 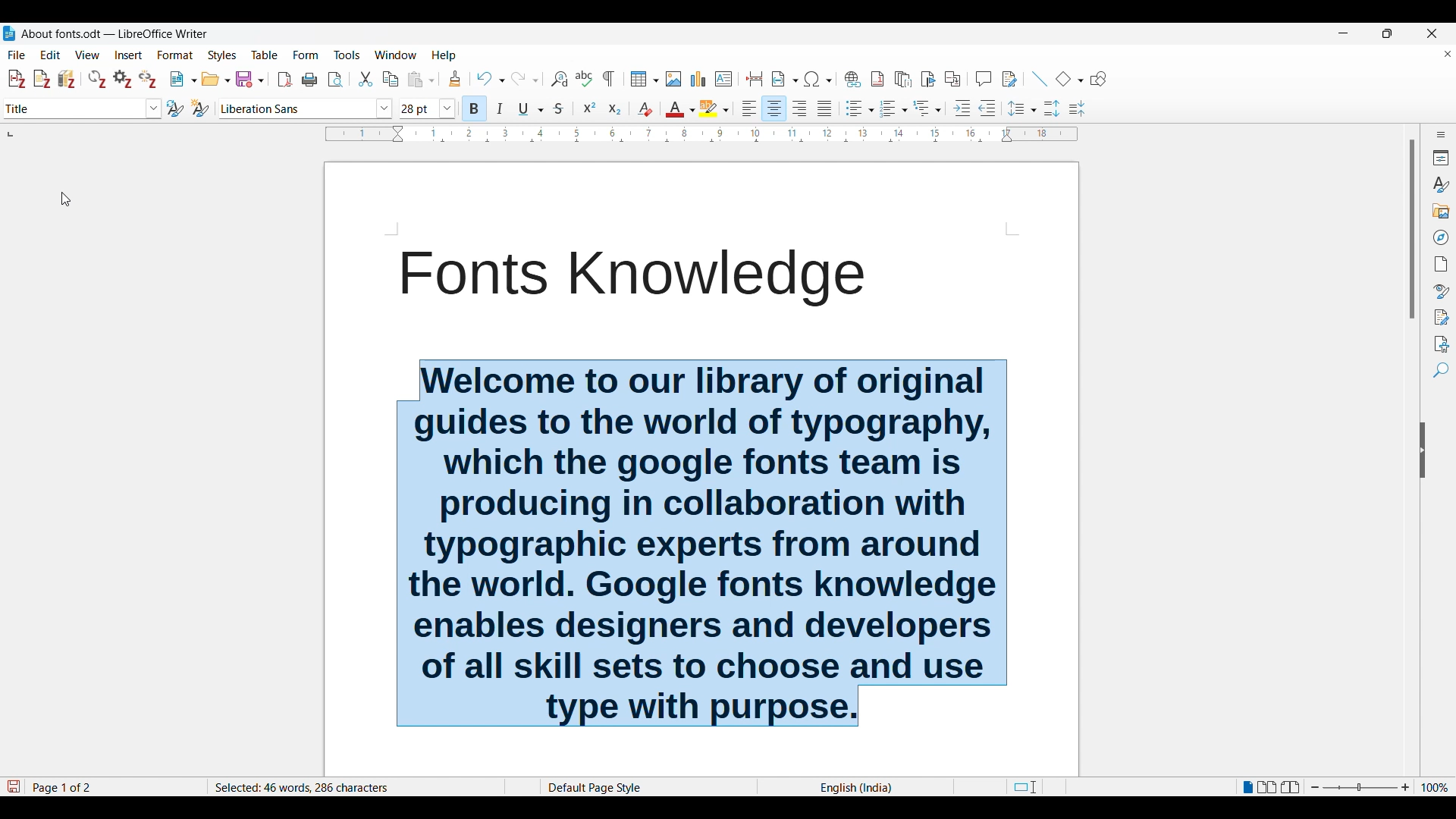 I want to click on Subscript, so click(x=615, y=108).